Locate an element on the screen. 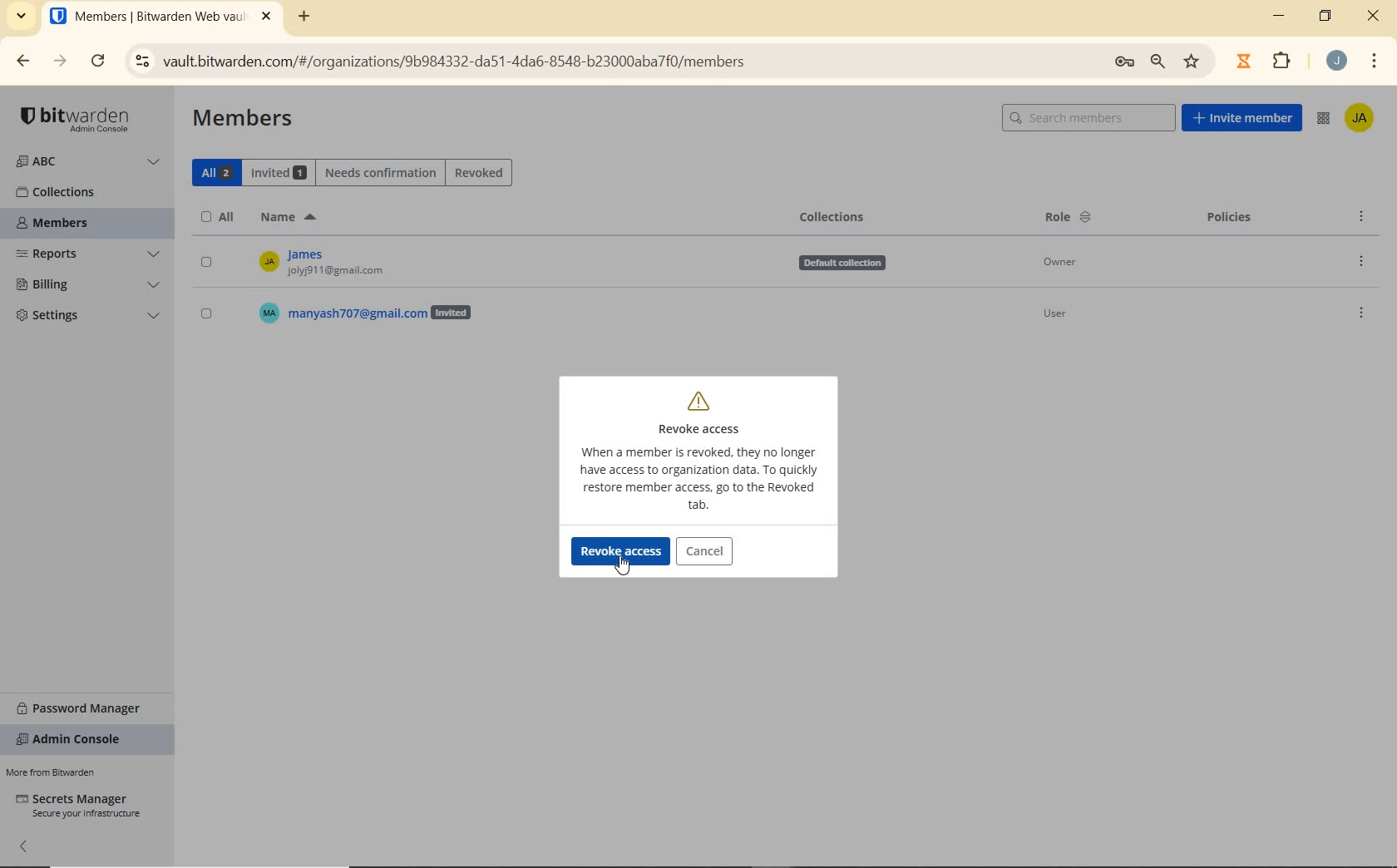  CLOSE is located at coordinates (1374, 16).